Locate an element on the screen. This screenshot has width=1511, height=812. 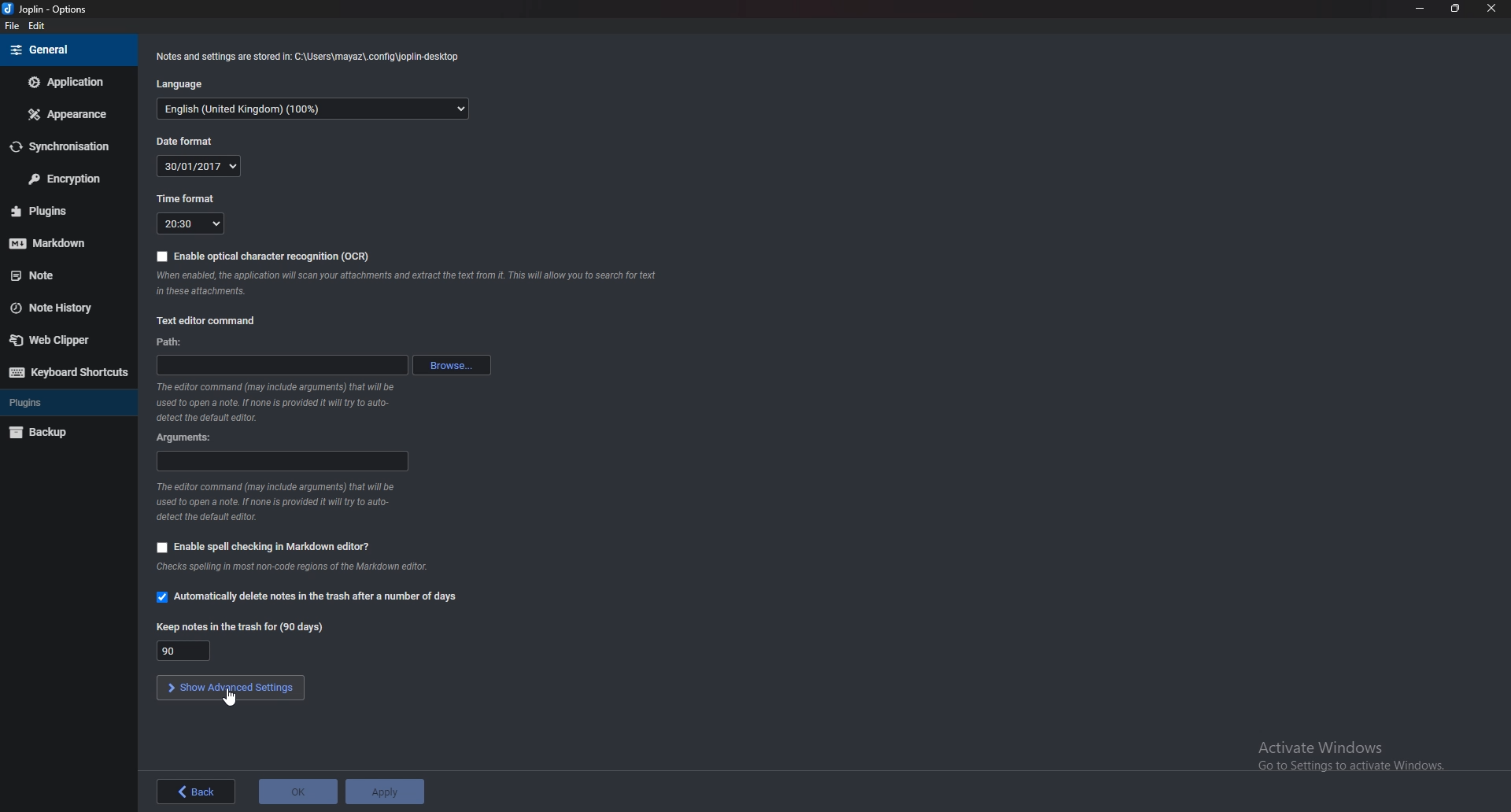
Plugins is located at coordinates (48, 212).